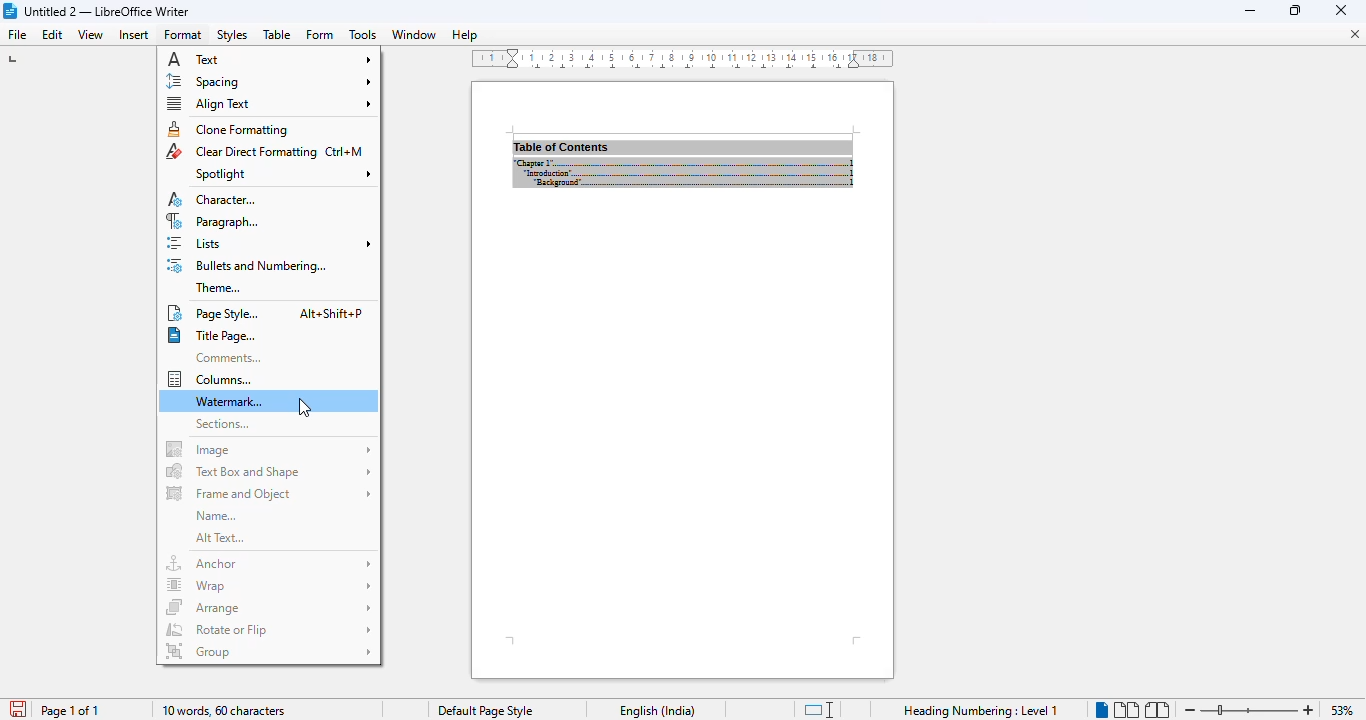 This screenshot has height=720, width=1366. I want to click on rotate or flip, so click(269, 629).